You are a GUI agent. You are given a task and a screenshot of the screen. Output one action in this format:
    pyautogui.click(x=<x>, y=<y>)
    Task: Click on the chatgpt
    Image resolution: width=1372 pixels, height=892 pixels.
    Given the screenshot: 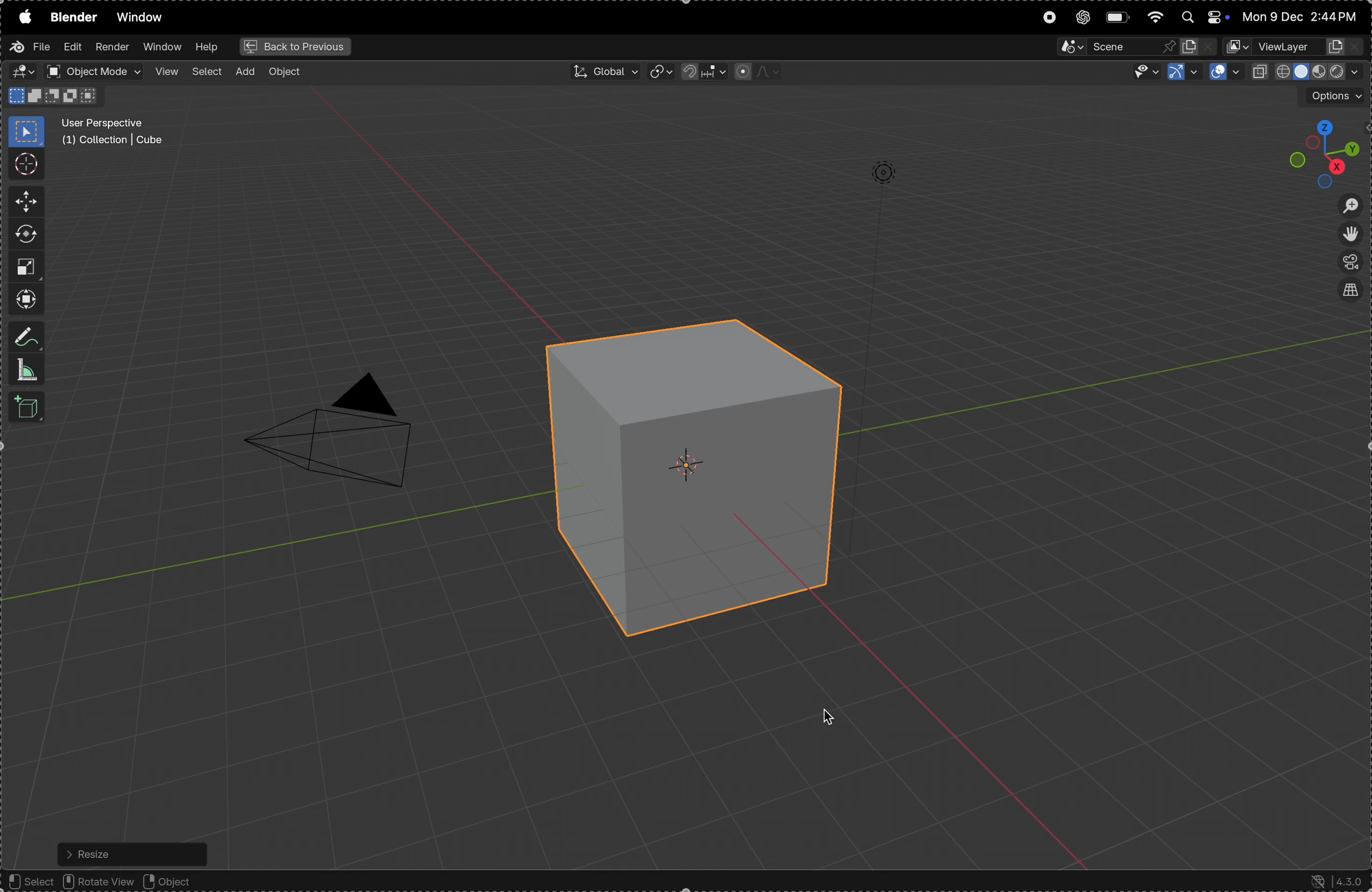 What is the action you would take?
    pyautogui.click(x=1083, y=18)
    